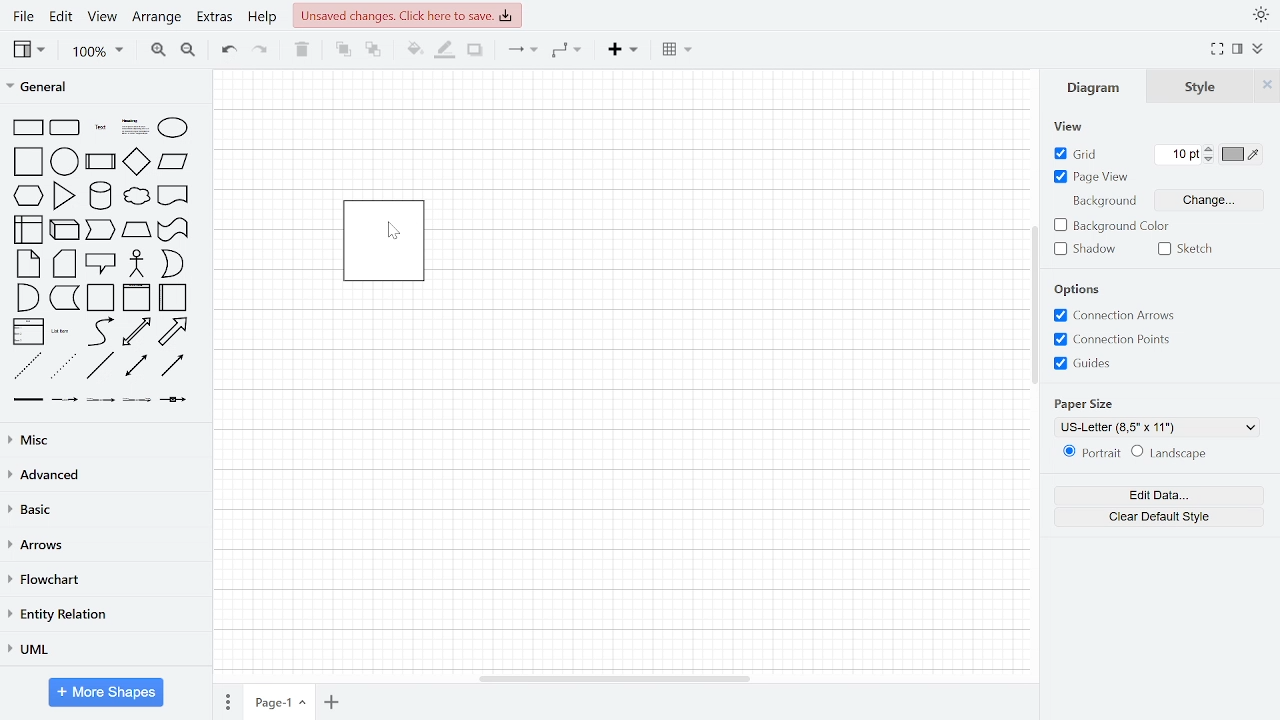  What do you see at coordinates (1258, 16) in the screenshot?
I see `appearance` at bounding box center [1258, 16].